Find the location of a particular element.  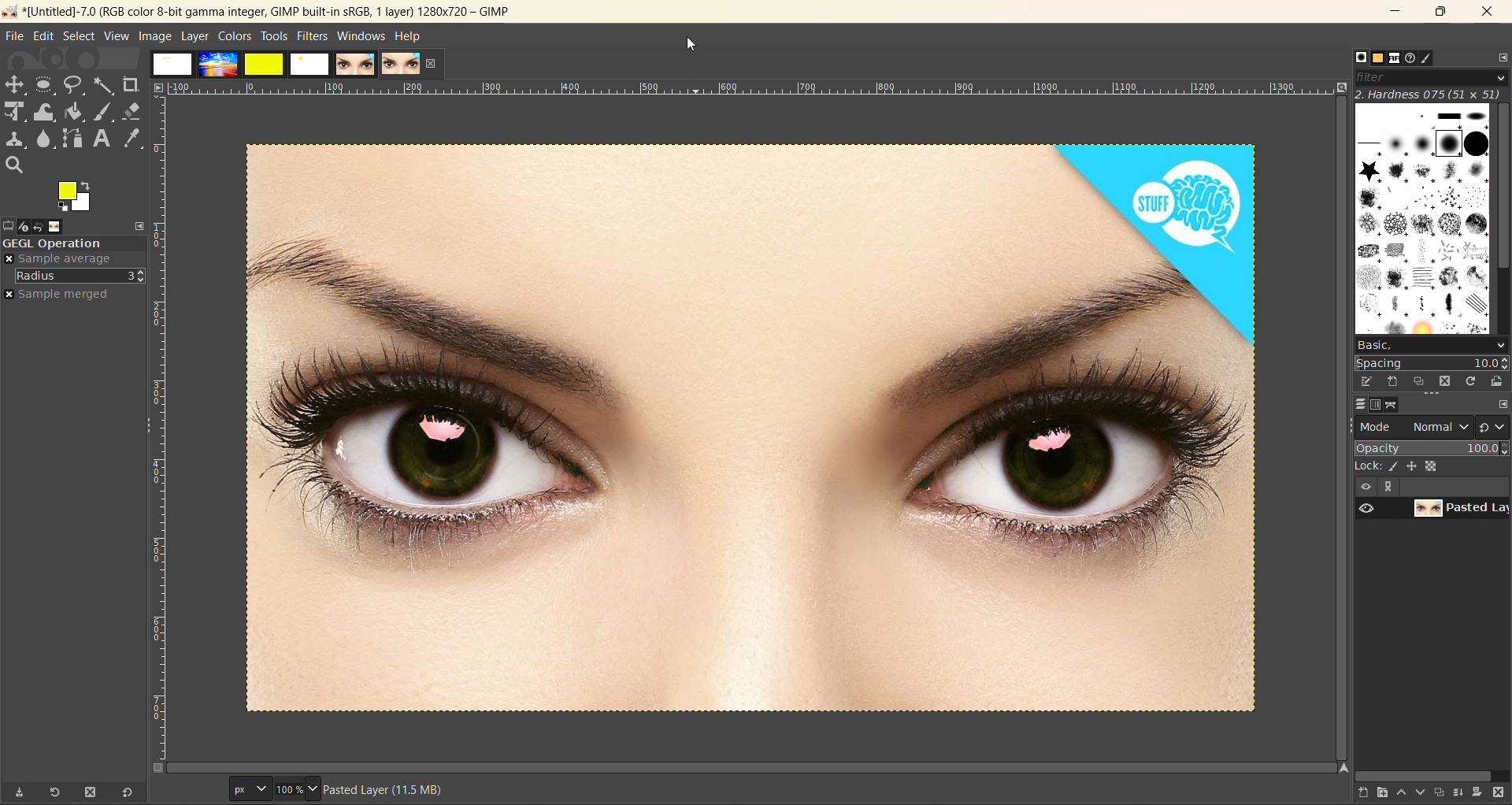

clone is located at coordinates (17, 139).